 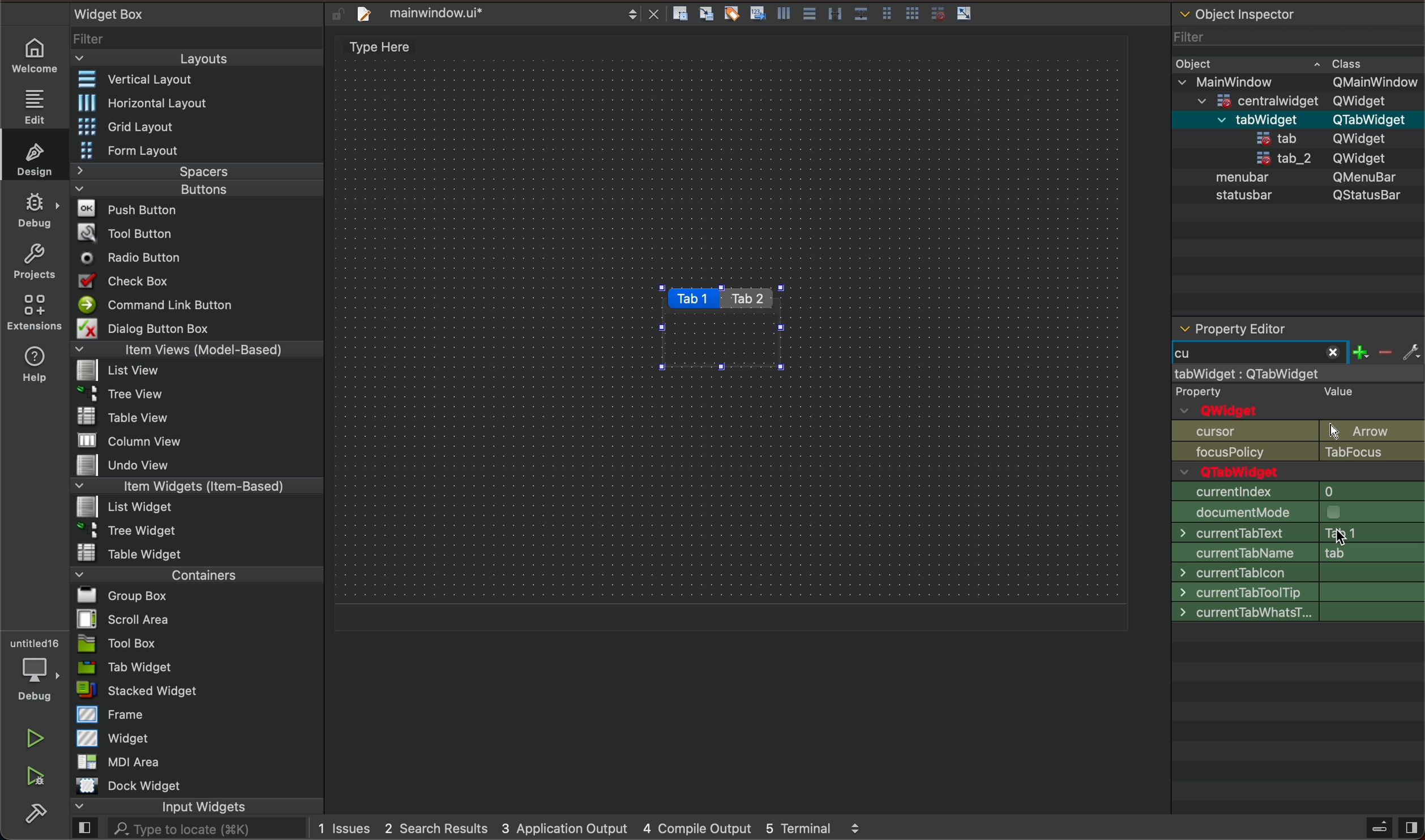 What do you see at coordinates (1296, 652) in the screenshot?
I see `cursor` at bounding box center [1296, 652].